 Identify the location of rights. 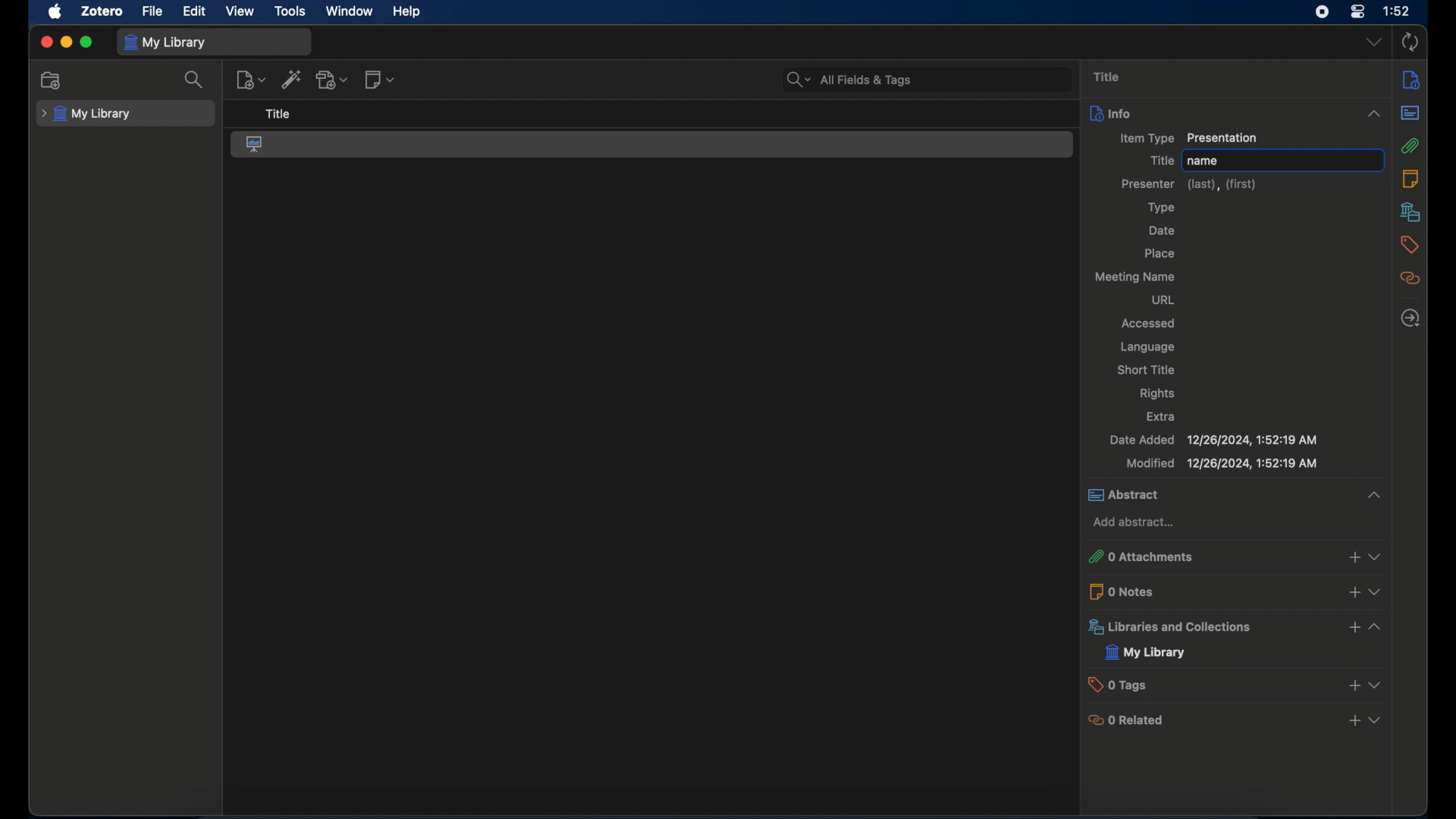
(1159, 394).